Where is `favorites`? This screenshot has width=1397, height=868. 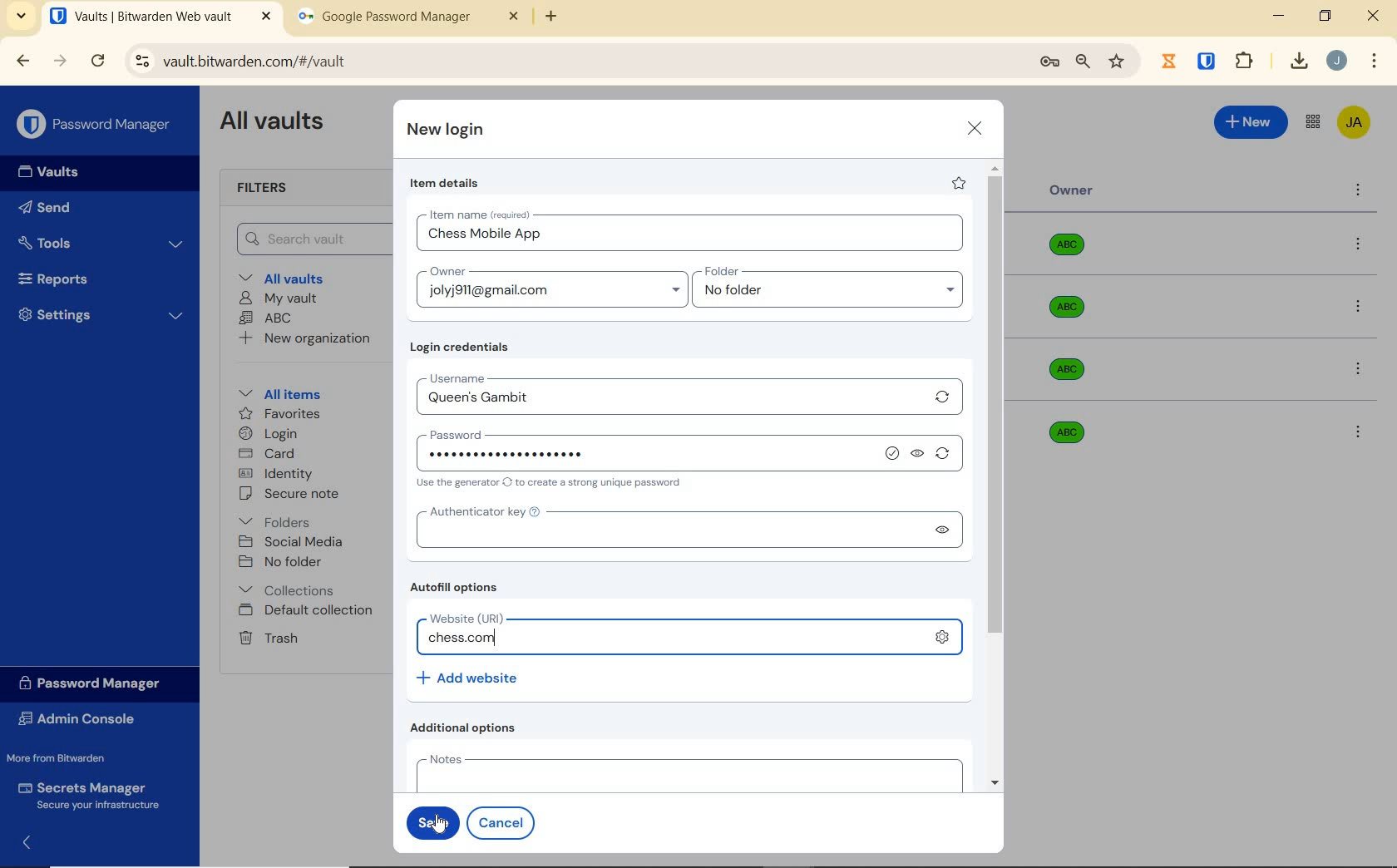 favorites is located at coordinates (281, 416).